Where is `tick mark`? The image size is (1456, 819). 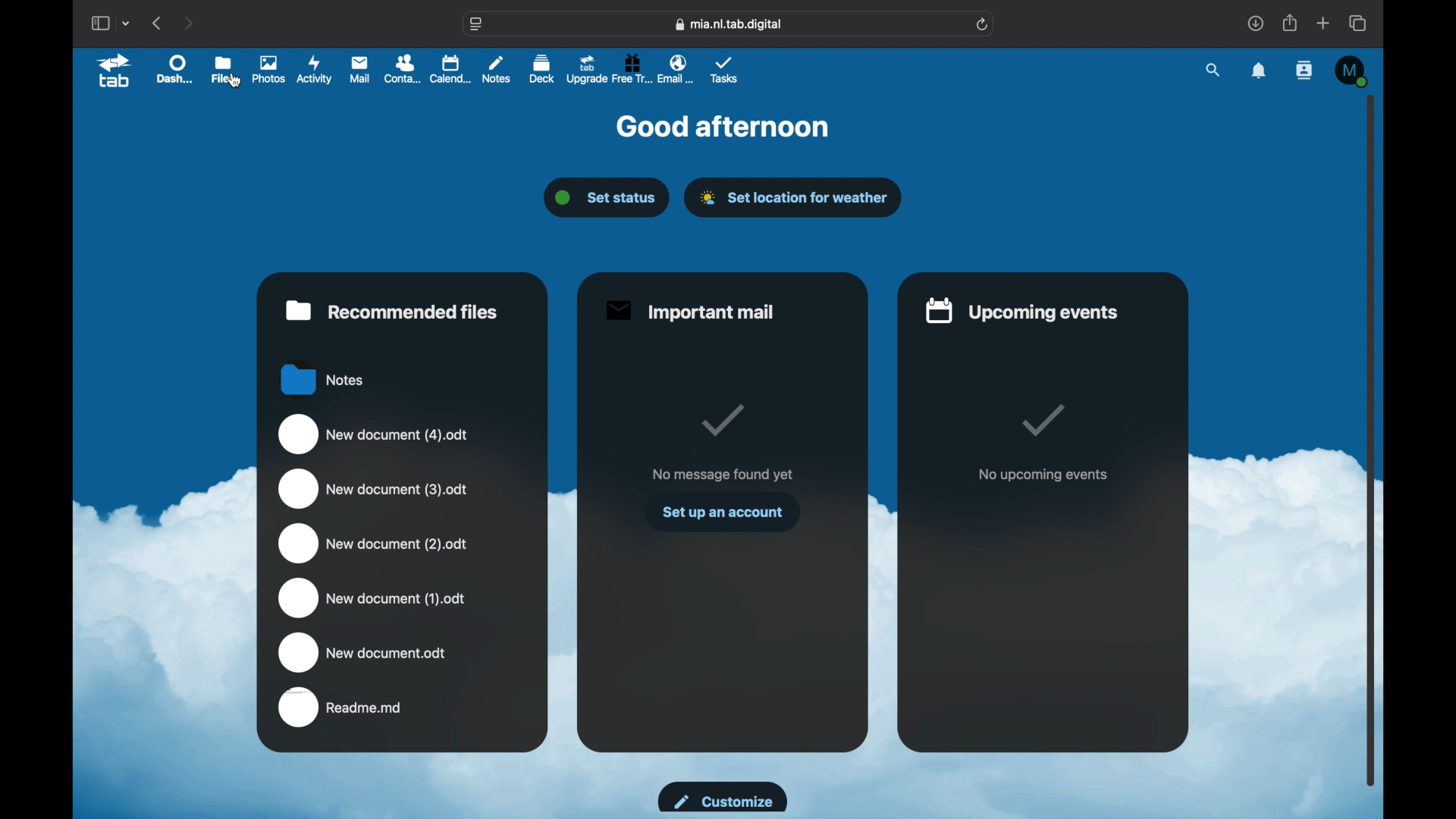 tick mark is located at coordinates (1040, 419).